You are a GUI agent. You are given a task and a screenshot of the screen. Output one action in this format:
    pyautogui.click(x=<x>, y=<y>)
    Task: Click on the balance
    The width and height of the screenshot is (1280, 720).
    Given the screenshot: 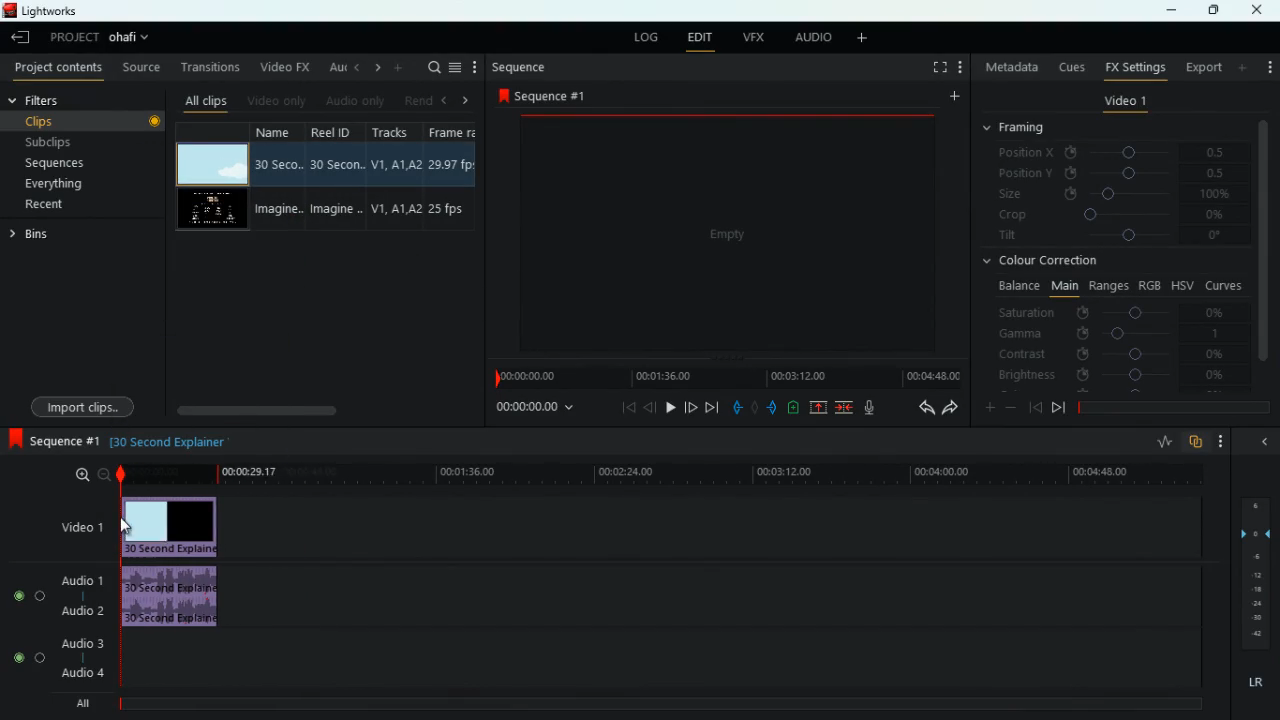 What is the action you would take?
    pyautogui.click(x=1014, y=287)
    